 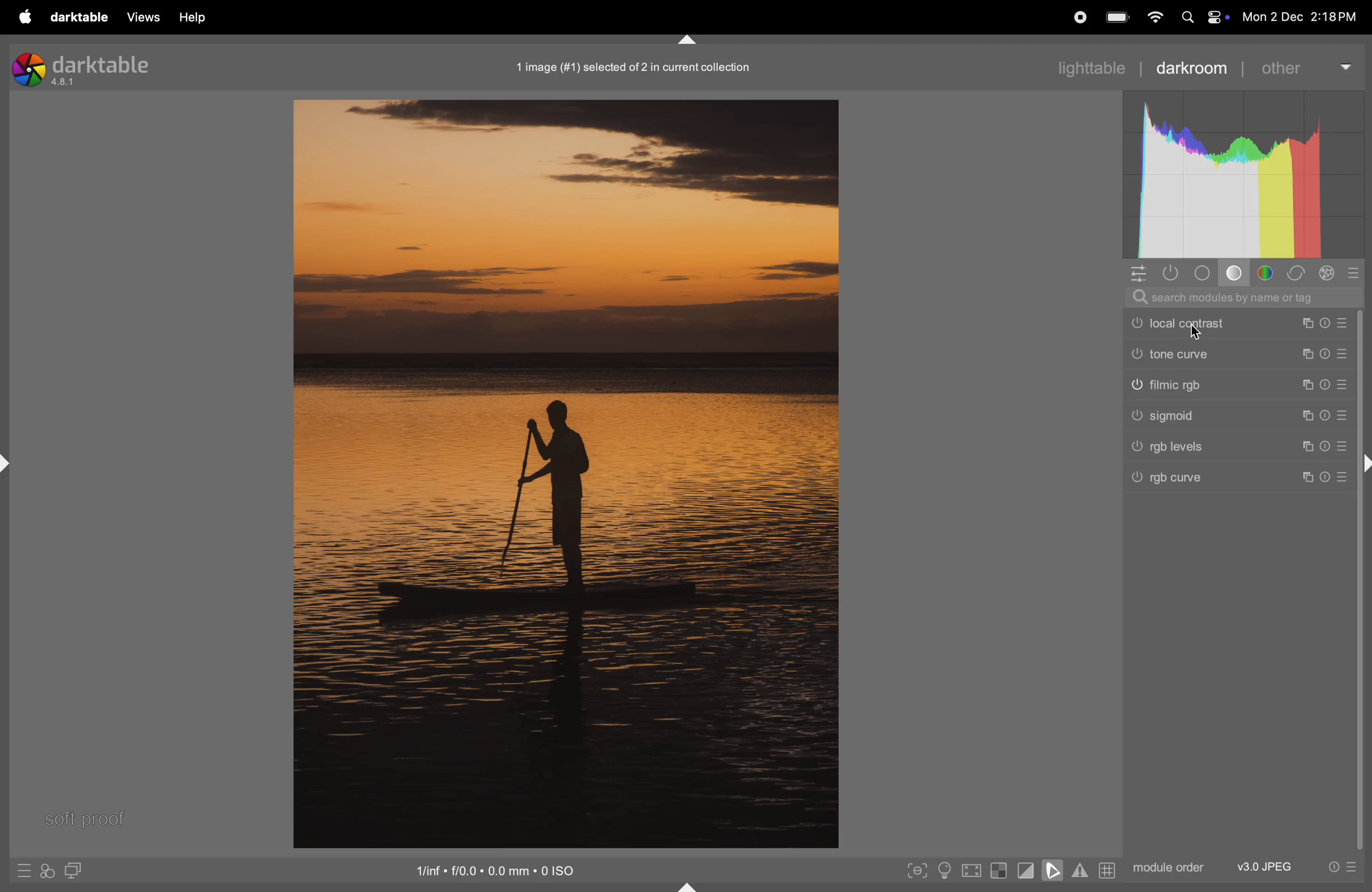 I want to click on battery, so click(x=1118, y=16).